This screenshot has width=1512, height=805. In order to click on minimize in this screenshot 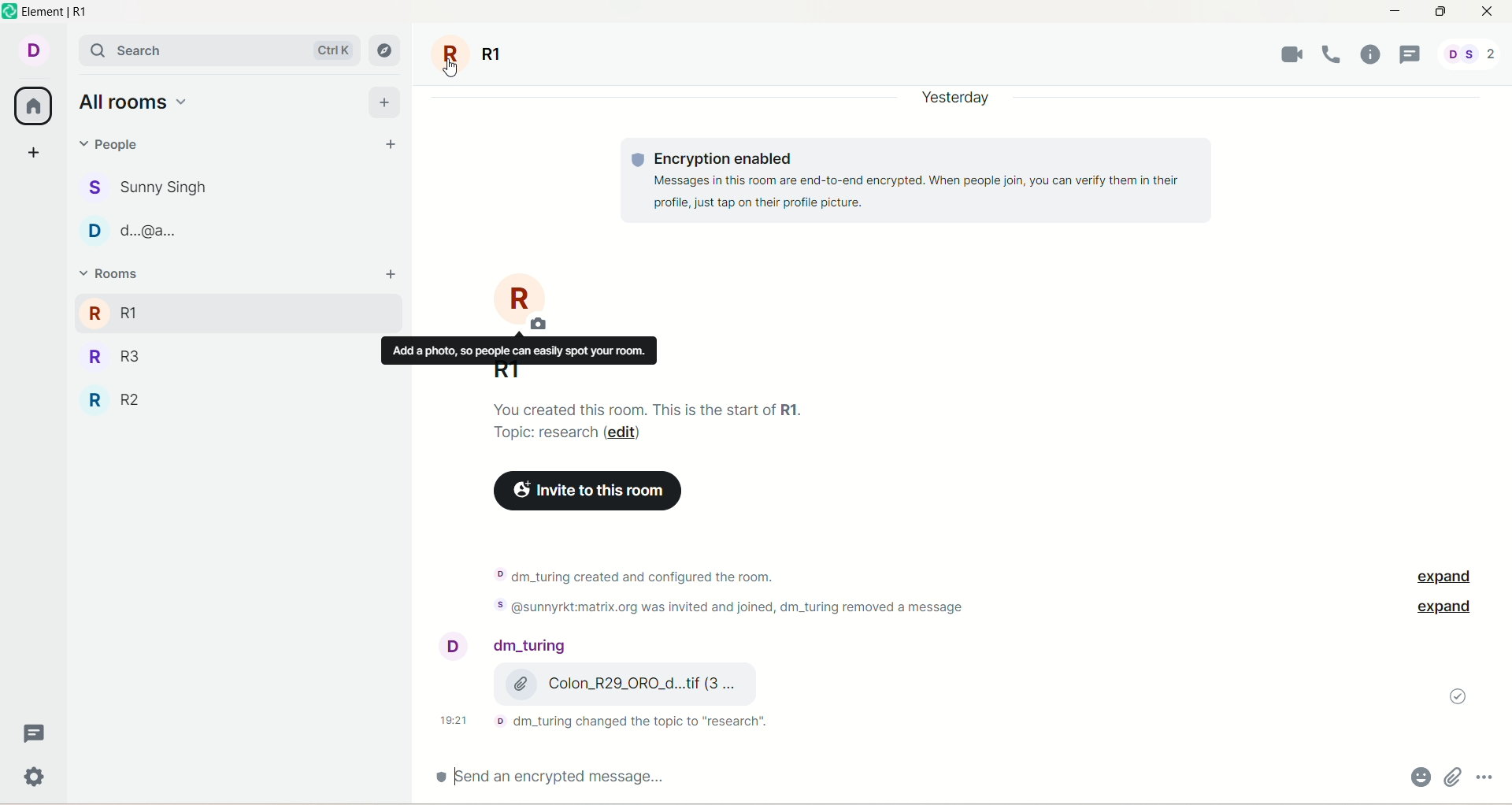, I will do `click(1395, 13)`.